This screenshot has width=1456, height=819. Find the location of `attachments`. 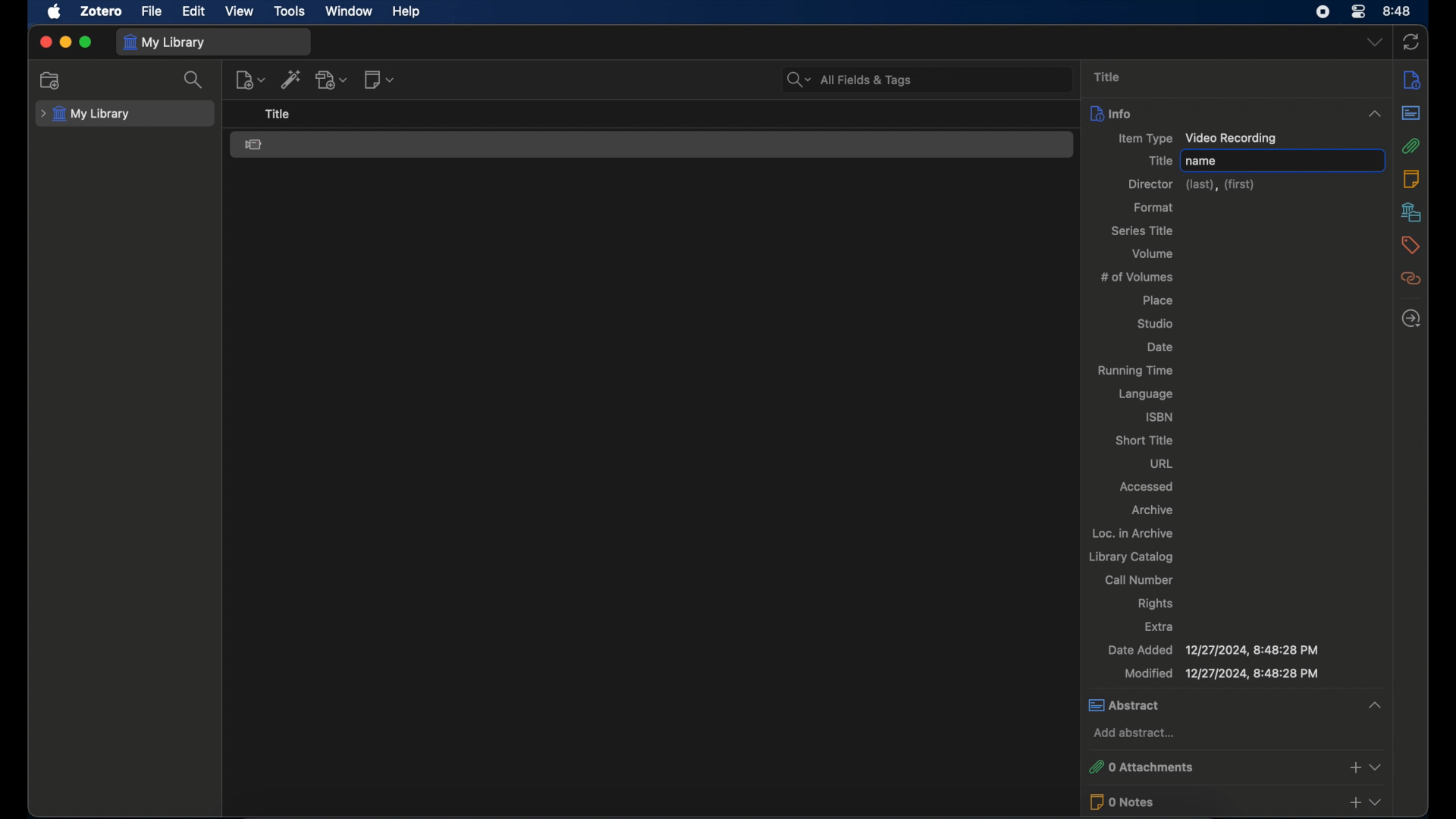

attachments is located at coordinates (1410, 146).